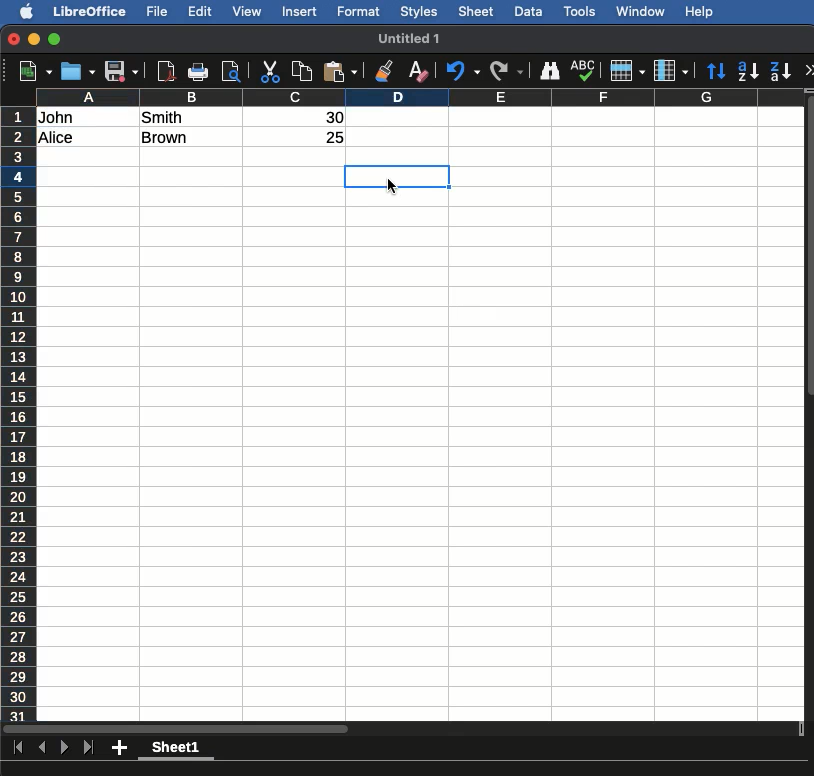 This screenshot has height=776, width=814. Describe the element at coordinates (55, 39) in the screenshot. I see `Maximize` at that location.